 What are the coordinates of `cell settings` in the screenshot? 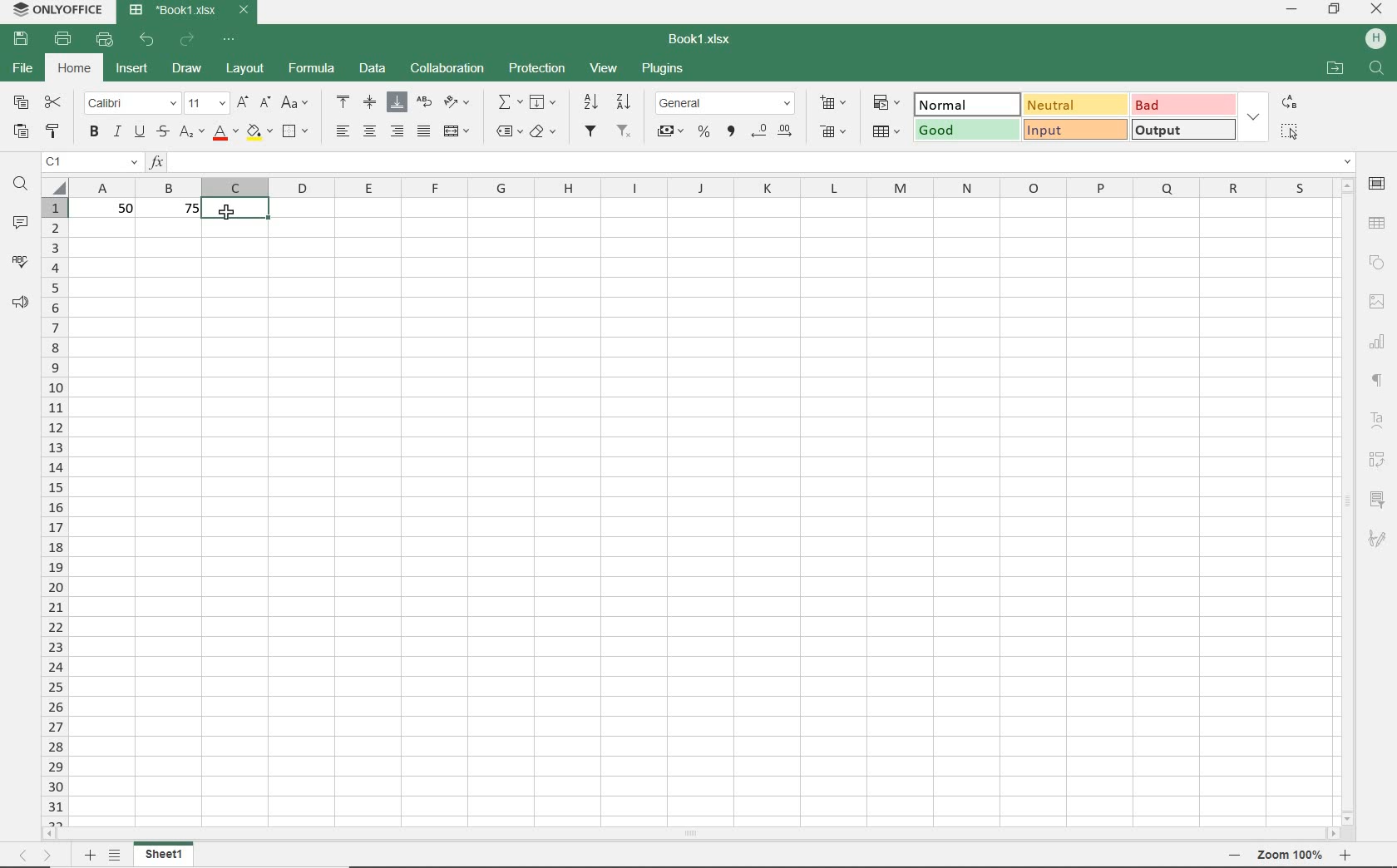 It's located at (1377, 185).